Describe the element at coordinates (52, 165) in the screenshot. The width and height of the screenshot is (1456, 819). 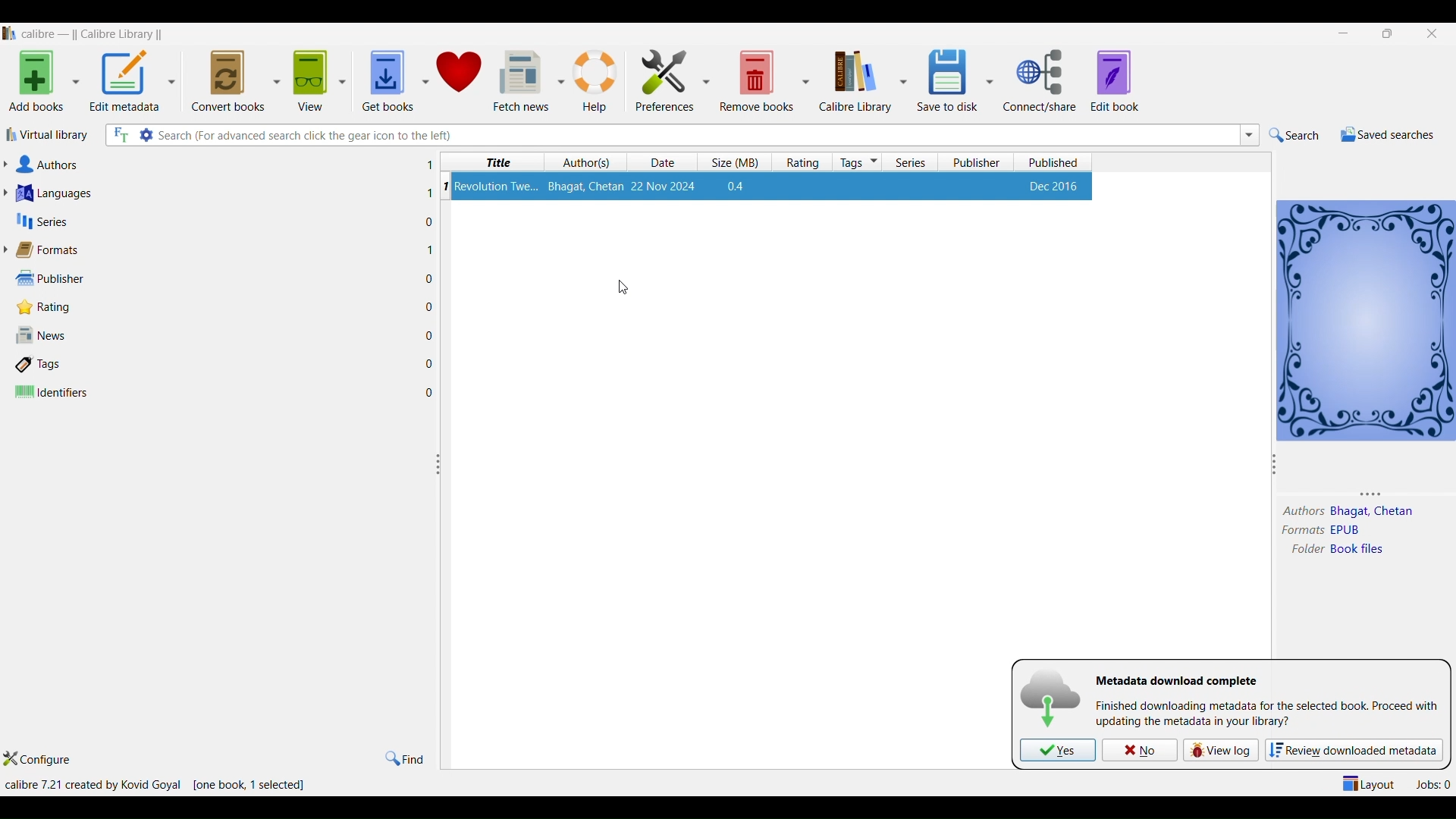
I see `authors` at that location.